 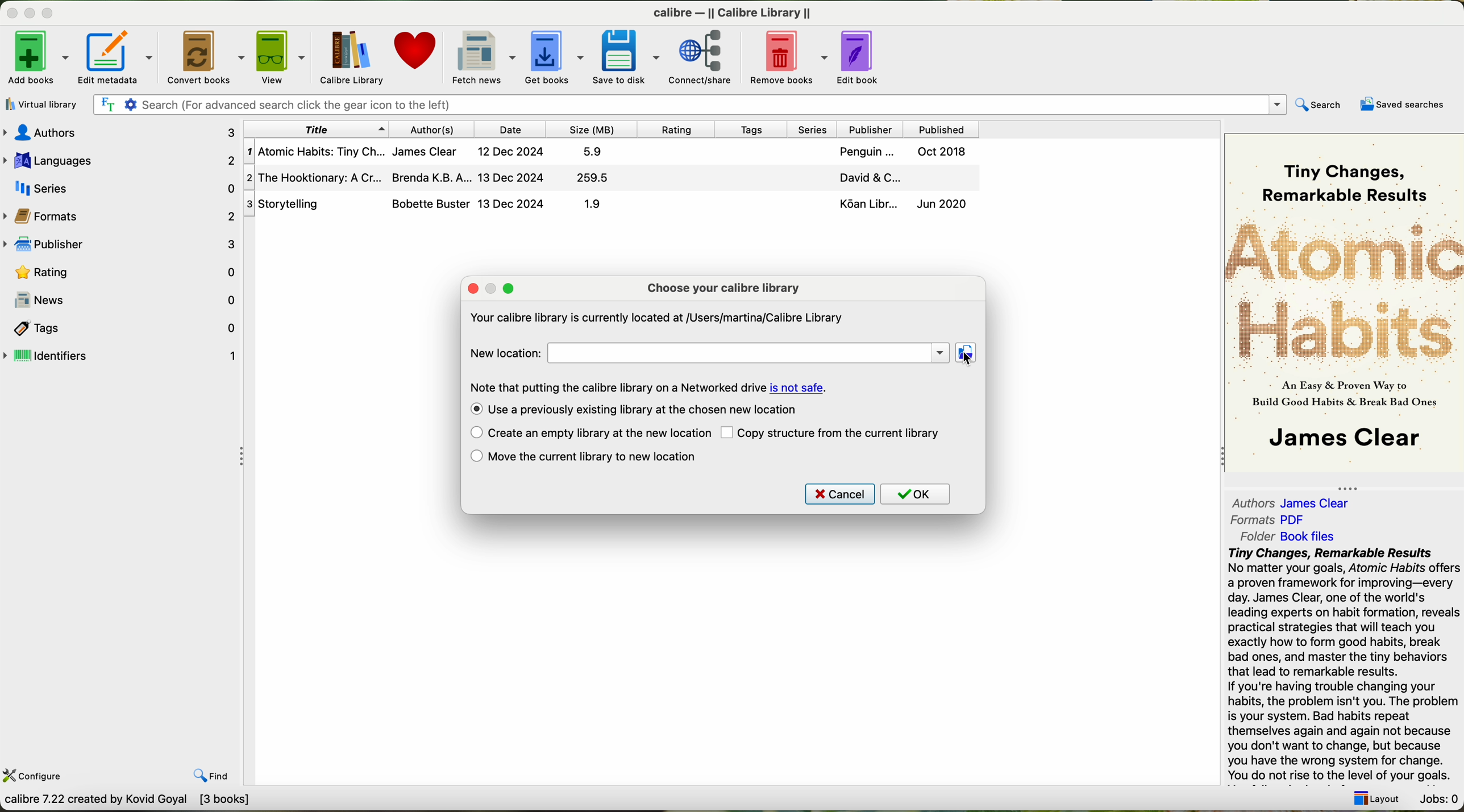 I want to click on formats, so click(x=122, y=216).